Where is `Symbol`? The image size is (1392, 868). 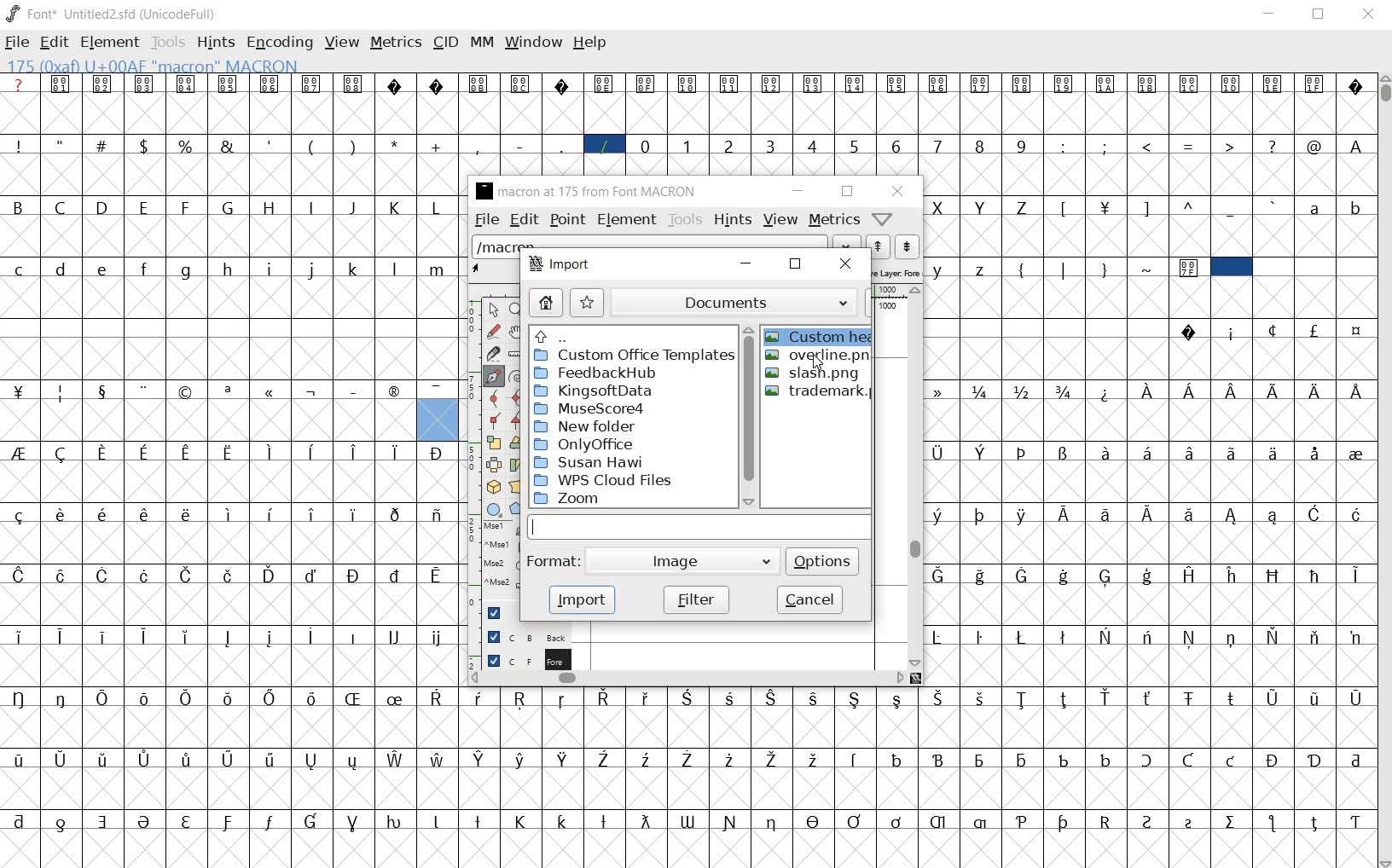
Symbol is located at coordinates (1149, 86).